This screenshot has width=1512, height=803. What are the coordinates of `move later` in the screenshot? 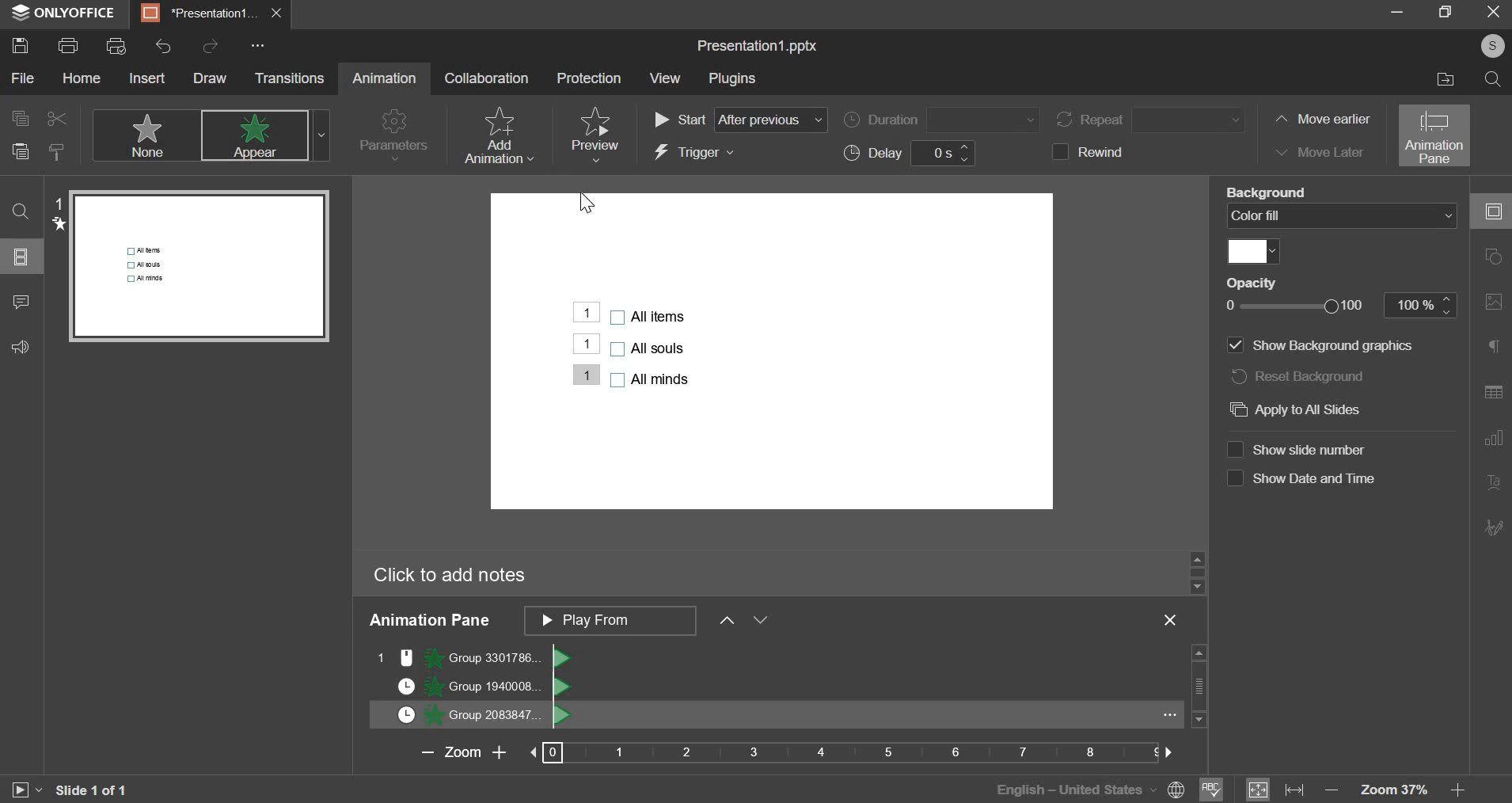 It's located at (1316, 150).